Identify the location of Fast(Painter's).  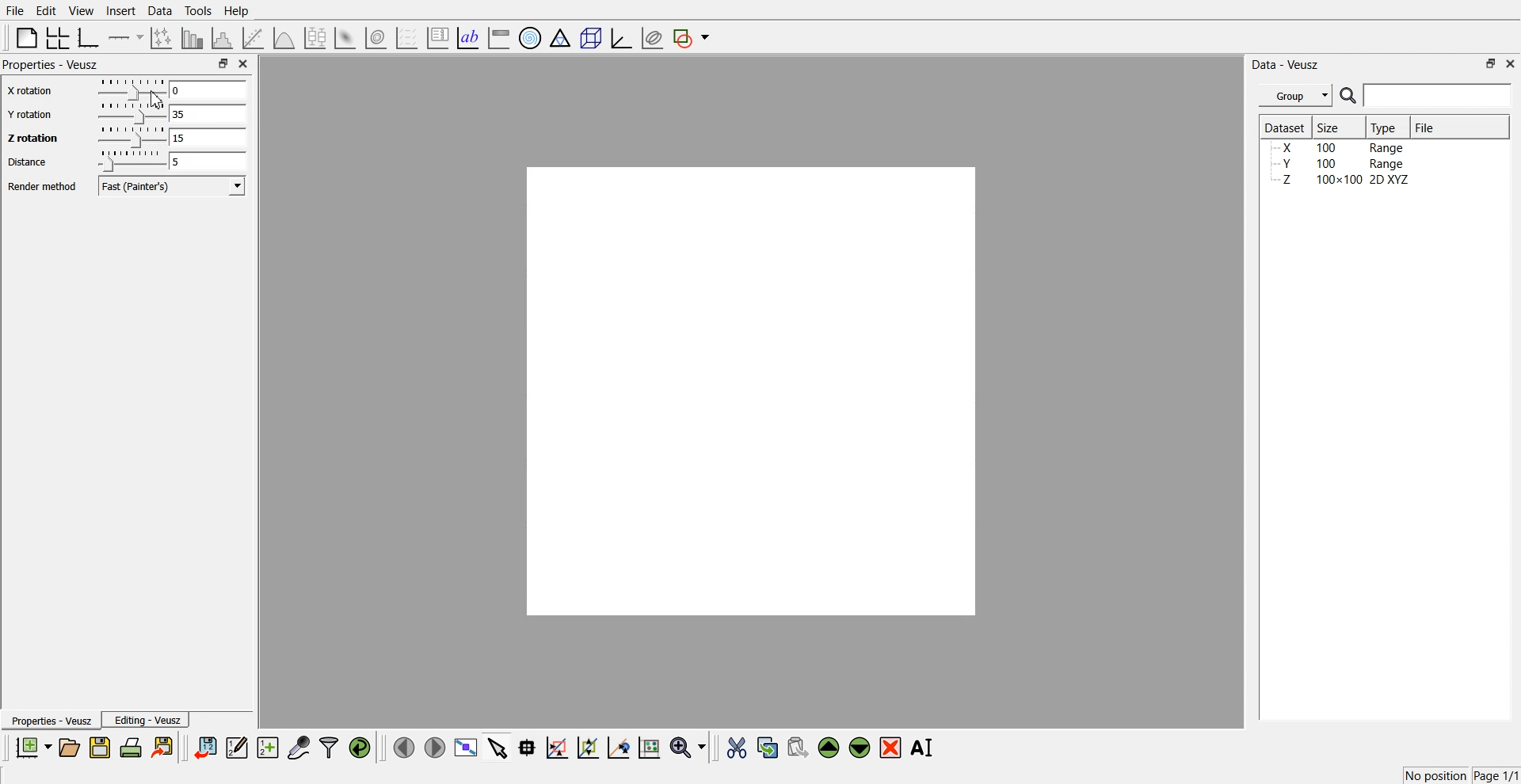
(173, 186).